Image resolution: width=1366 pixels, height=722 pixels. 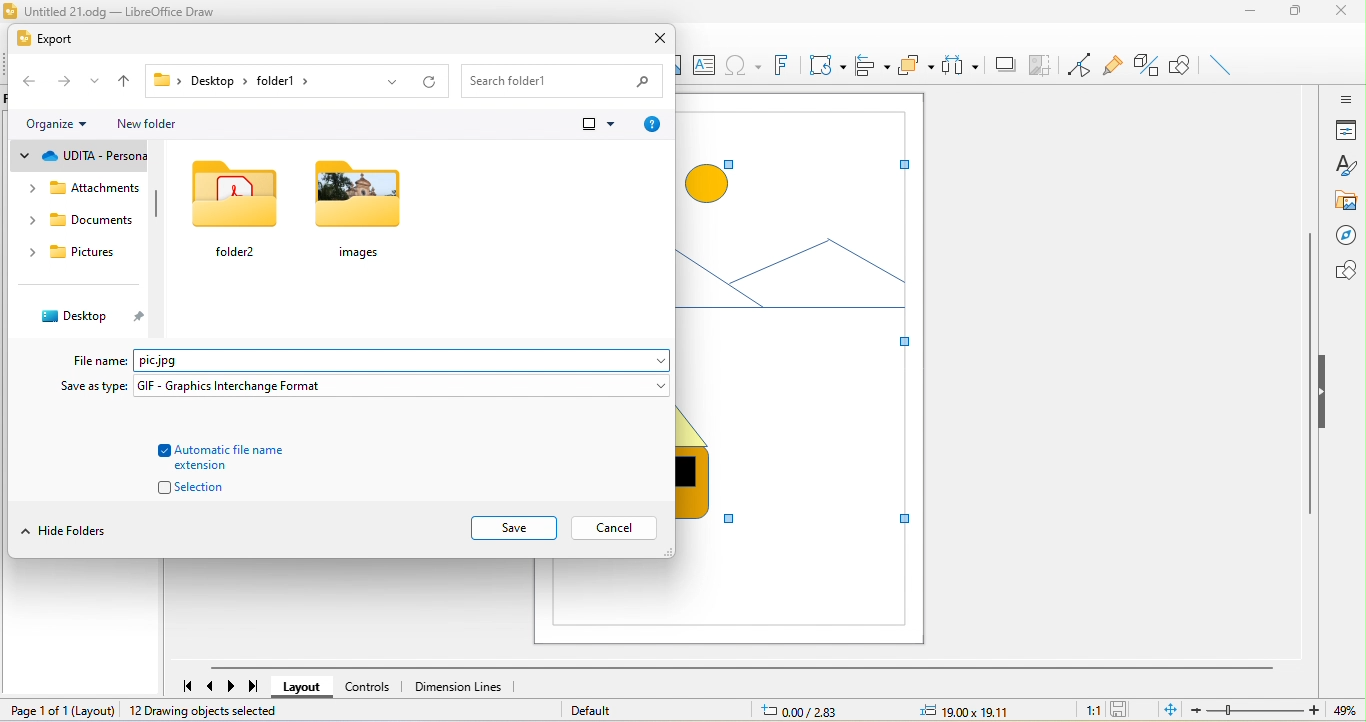 What do you see at coordinates (1170, 710) in the screenshot?
I see `fit page ` at bounding box center [1170, 710].